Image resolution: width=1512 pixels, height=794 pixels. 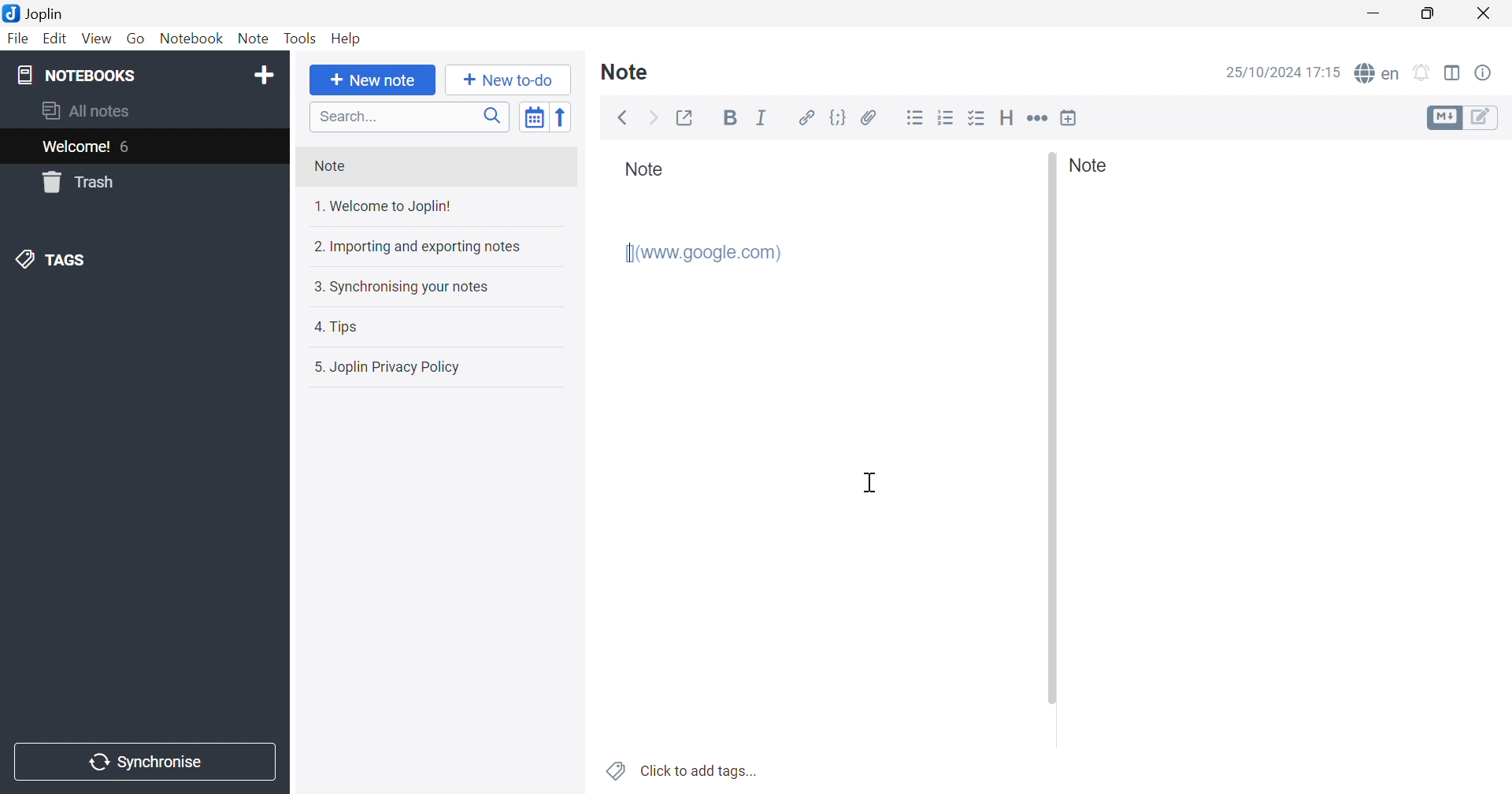 I want to click on Insert time, so click(x=1069, y=117).